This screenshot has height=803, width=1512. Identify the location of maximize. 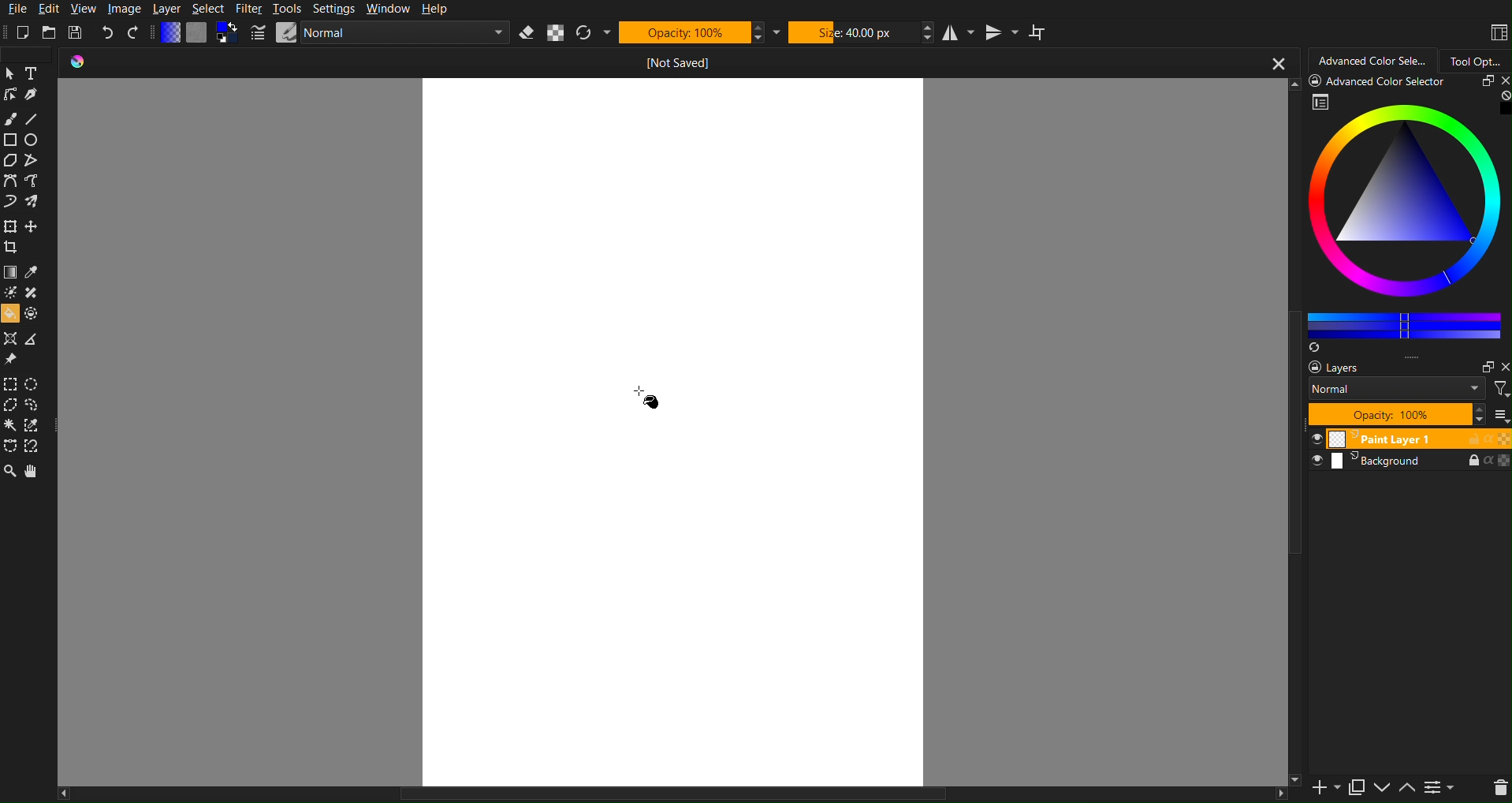
(1483, 364).